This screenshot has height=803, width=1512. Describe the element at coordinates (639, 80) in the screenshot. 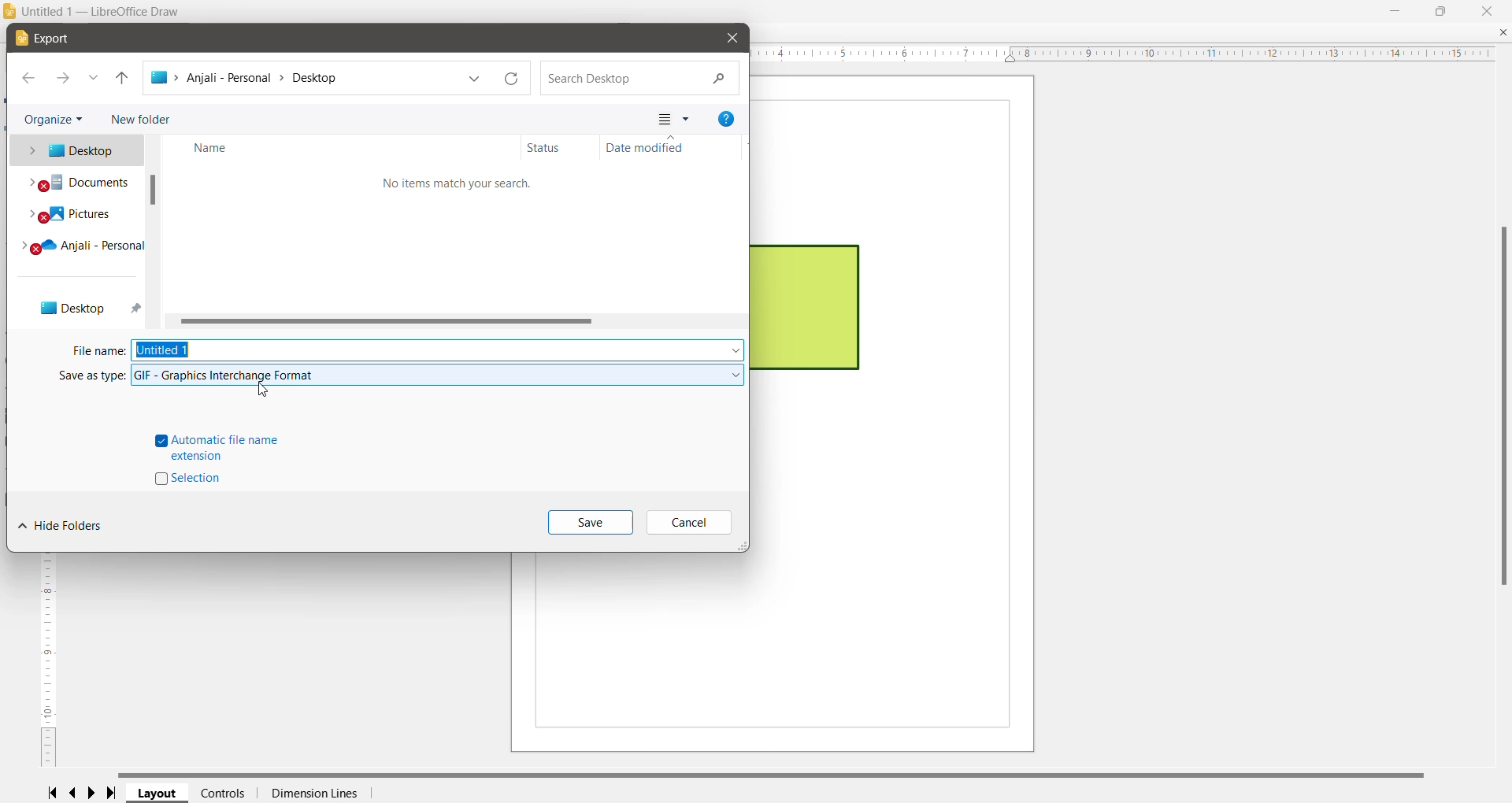

I see `Search Current Location` at that location.